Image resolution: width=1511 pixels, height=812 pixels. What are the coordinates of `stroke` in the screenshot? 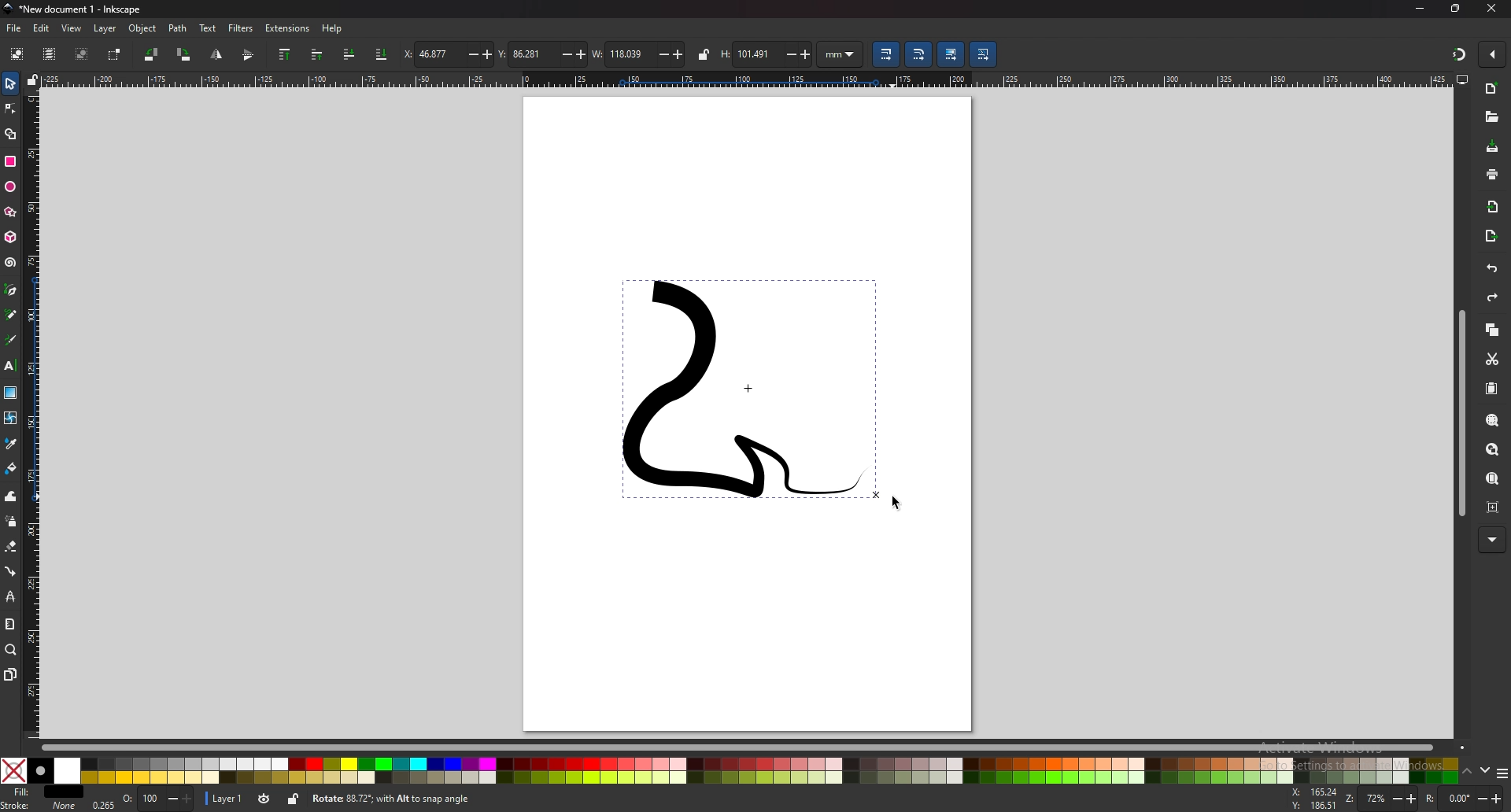 It's located at (40, 806).